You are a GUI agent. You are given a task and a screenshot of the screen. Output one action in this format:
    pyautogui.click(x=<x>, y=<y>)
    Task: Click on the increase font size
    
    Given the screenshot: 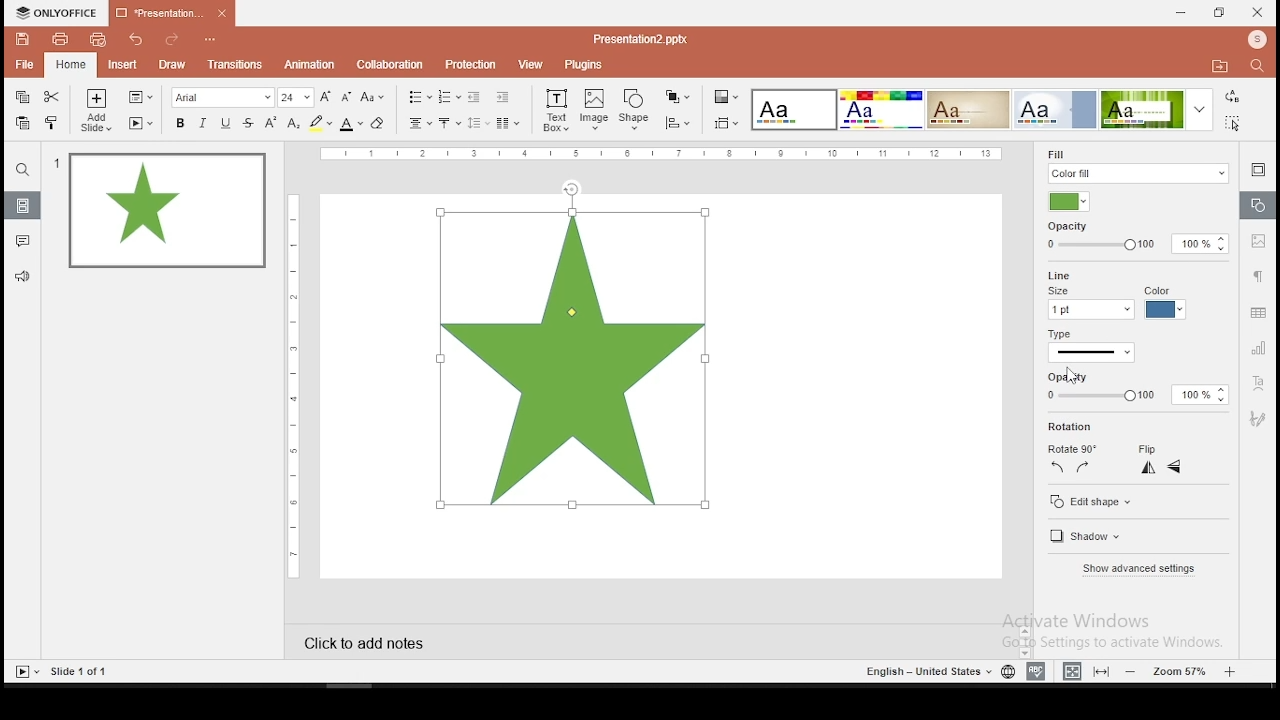 What is the action you would take?
    pyautogui.click(x=328, y=98)
    